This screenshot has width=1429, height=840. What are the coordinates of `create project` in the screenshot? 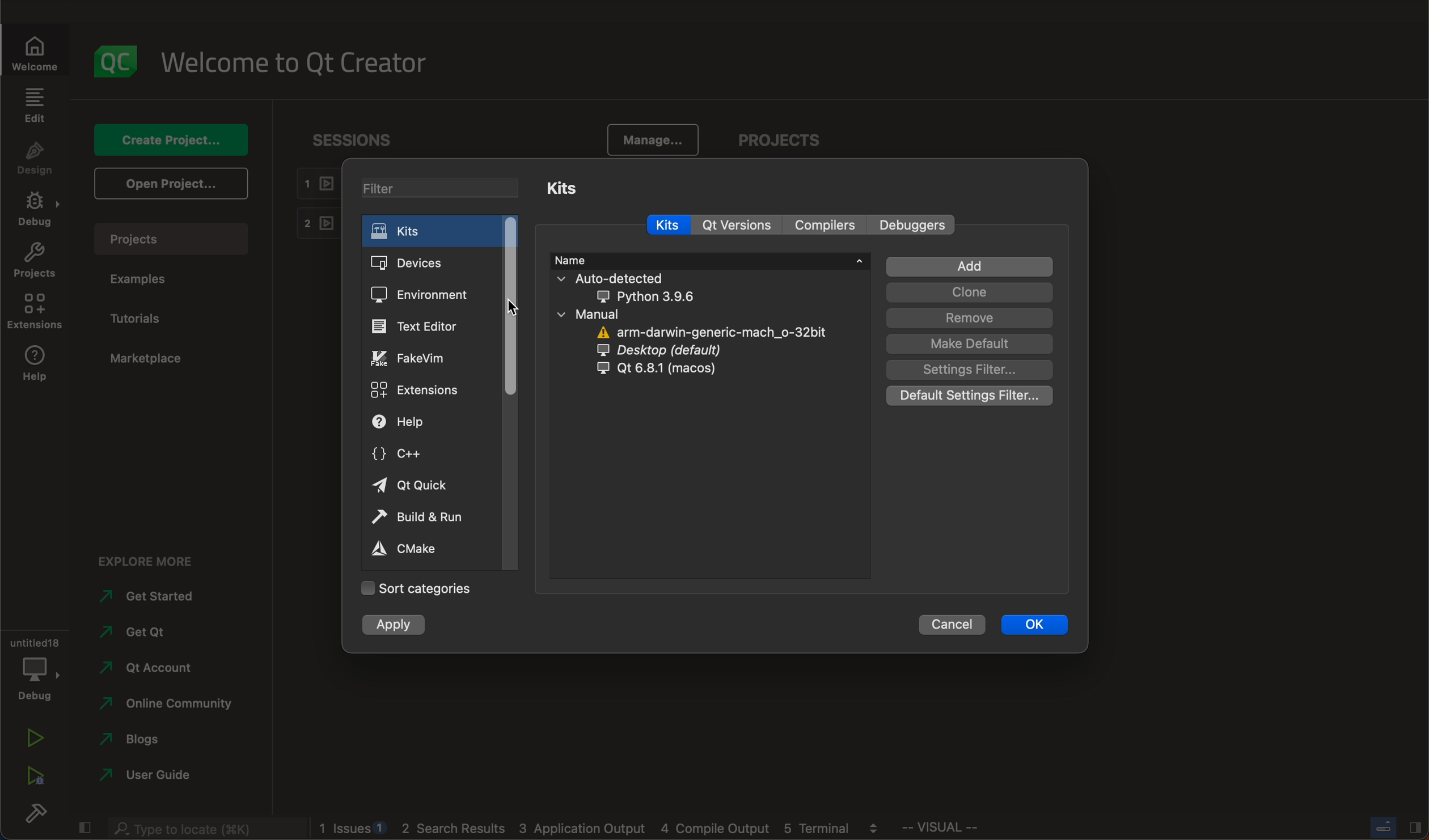 It's located at (171, 138).